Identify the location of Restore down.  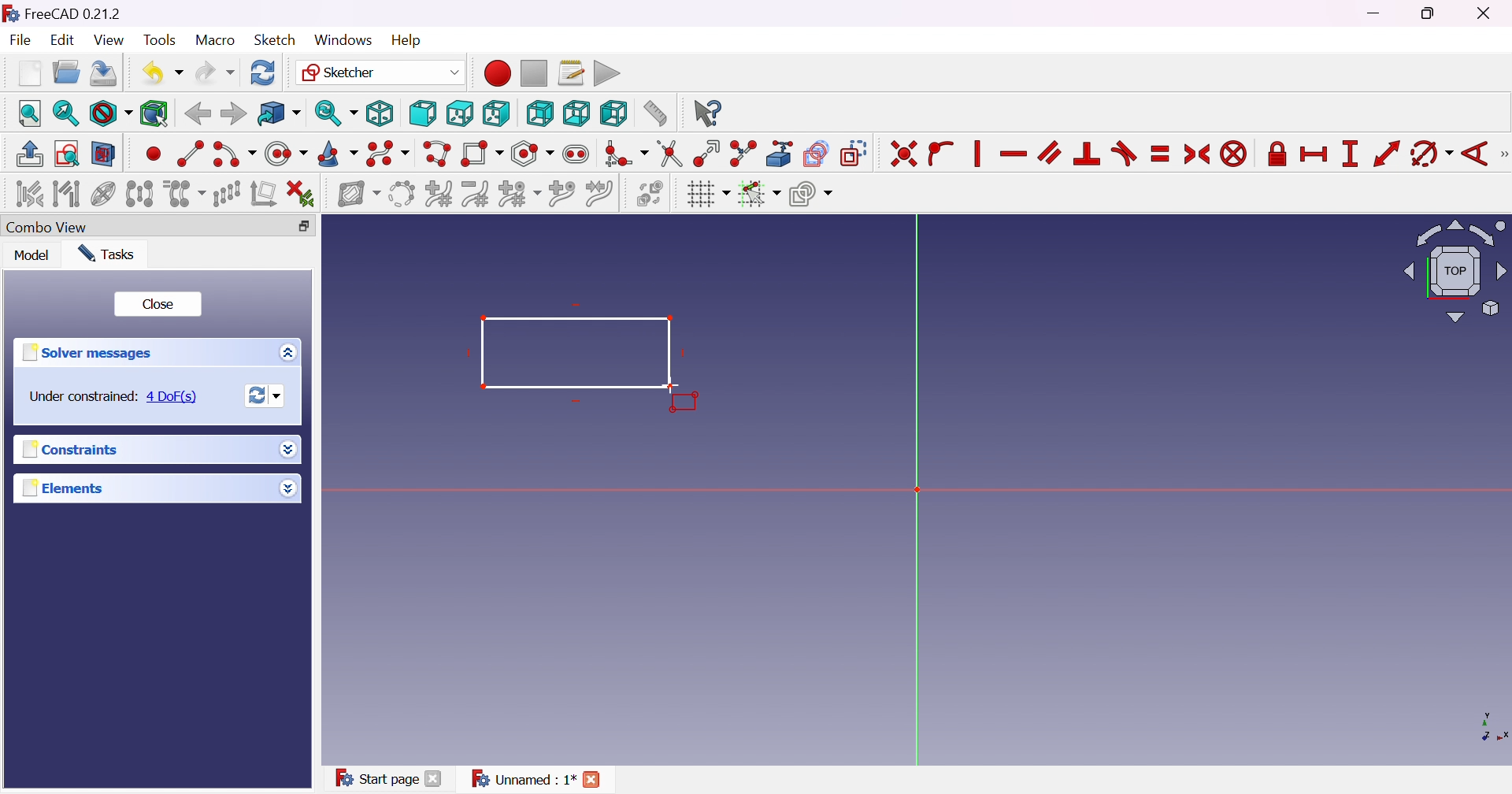
(304, 227).